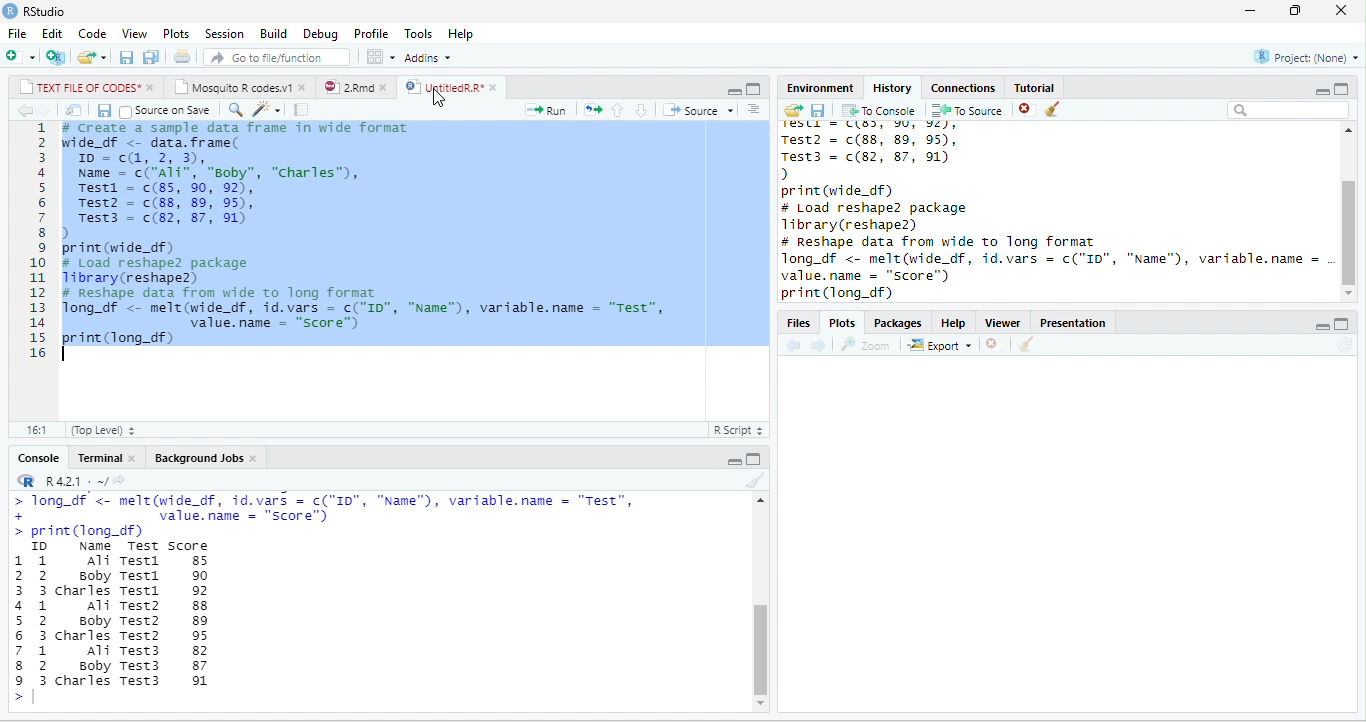 The height and width of the screenshot is (722, 1366). What do you see at coordinates (940, 344) in the screenshot?
I see `Export` at bounding box center [940, 344].